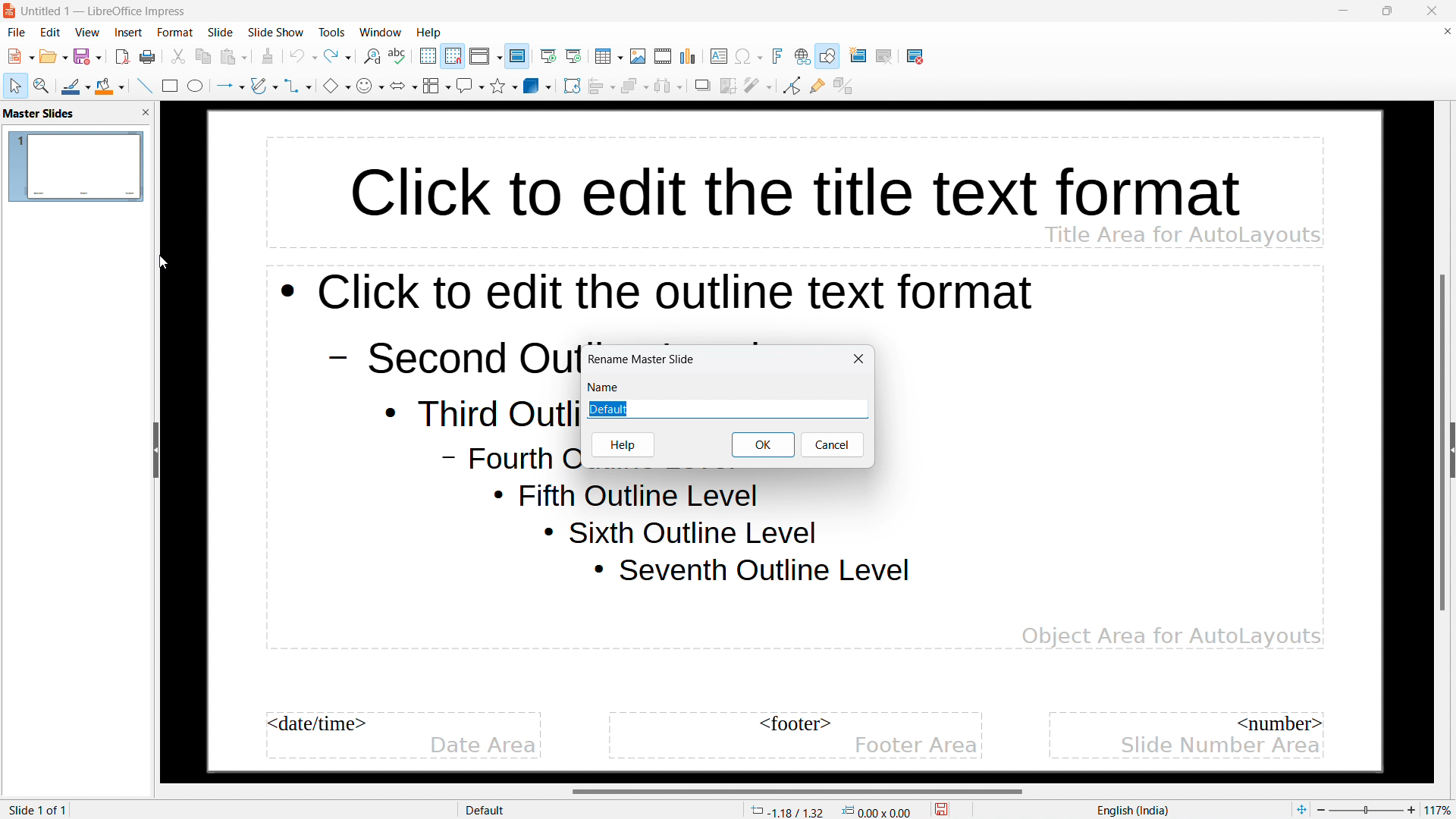 This screenshot has height=819, width=1456. I want to click on Zoom percent, so click(1367, 810).